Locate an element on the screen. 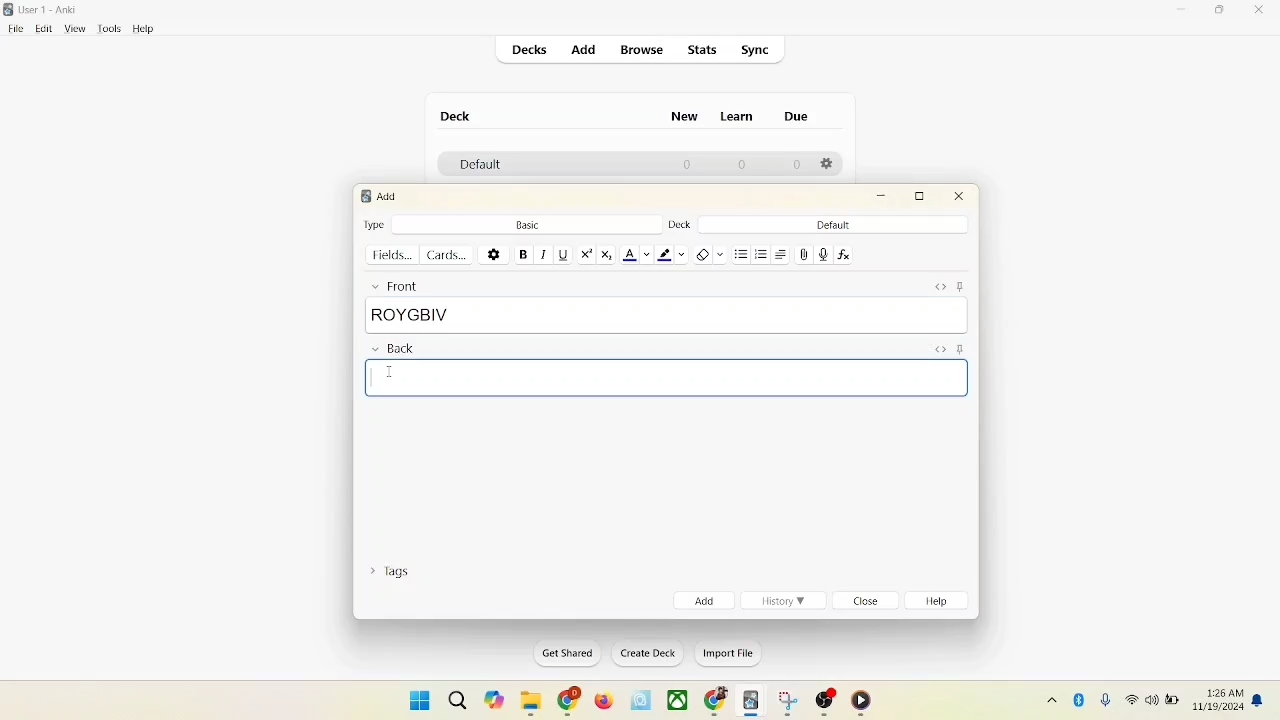 The width and height of the screenshot is (1280, 720). view is located at coordinates (77, 30).